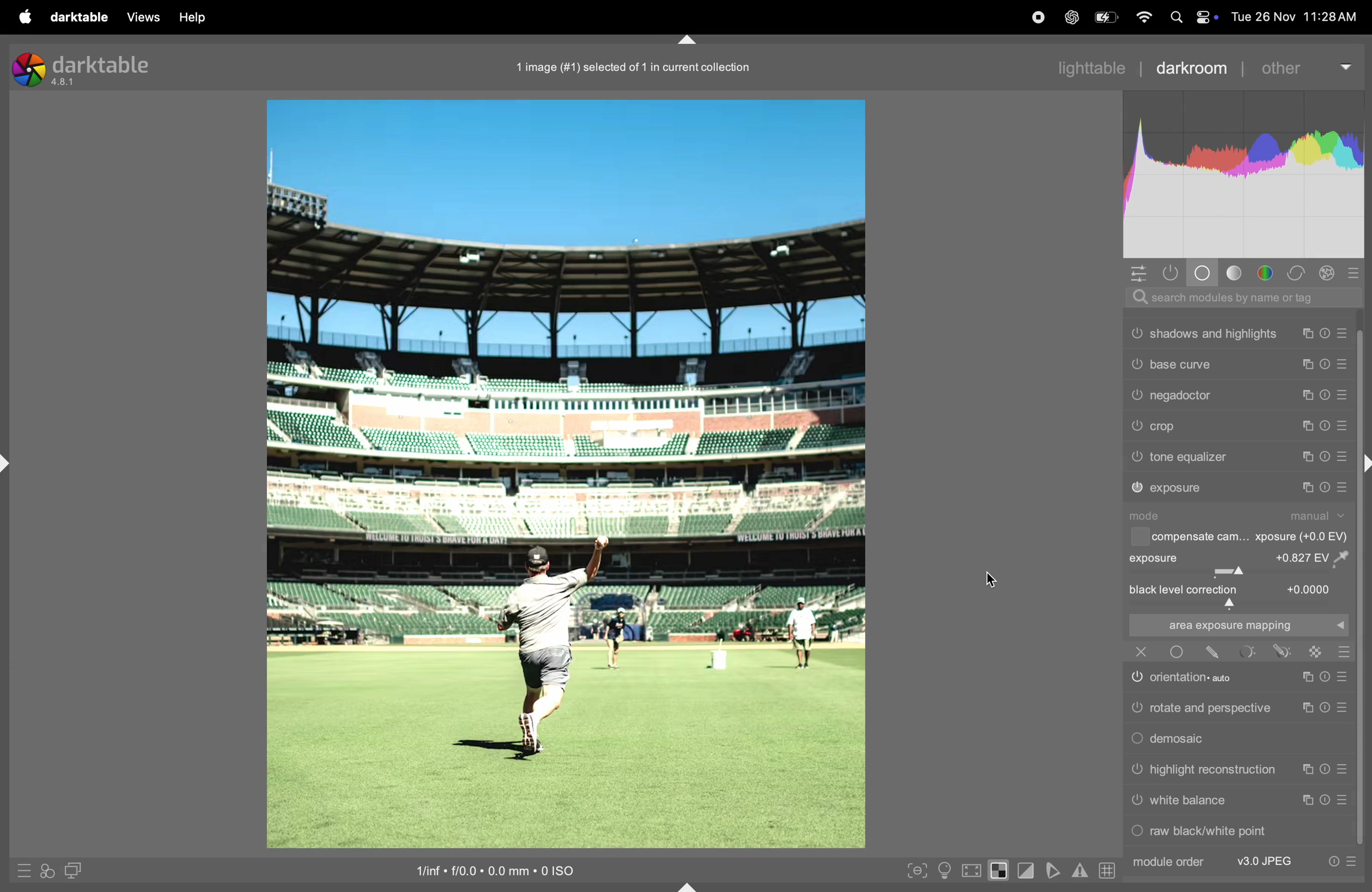 The image size is (1372, 892). Describe the element at coordinates (1037, 17) in the screenshot. I see `record` at that location.